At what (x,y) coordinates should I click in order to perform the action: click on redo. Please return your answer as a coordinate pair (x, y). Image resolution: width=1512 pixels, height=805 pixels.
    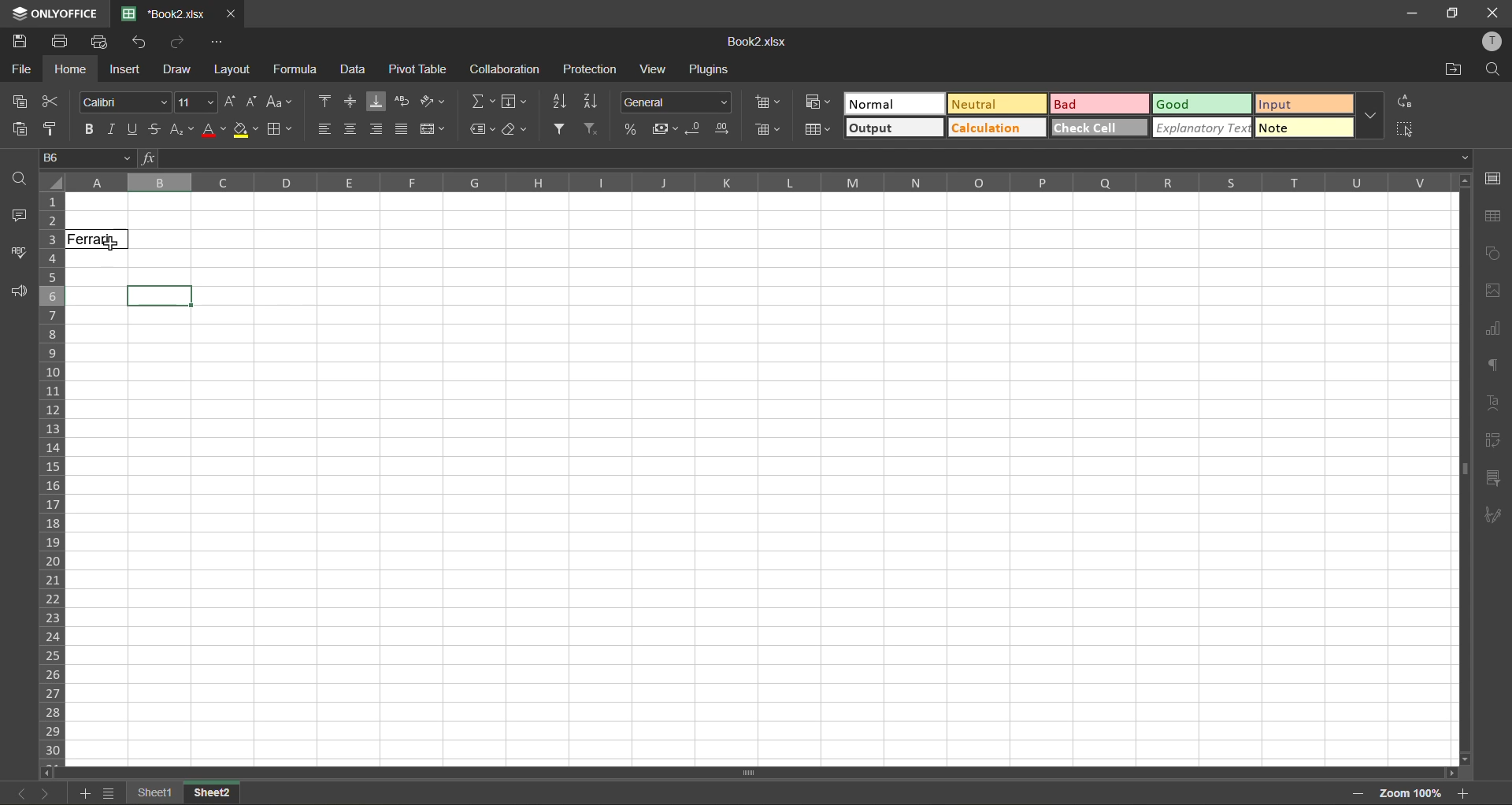
    Looking at the image, I should click on (180, 40).